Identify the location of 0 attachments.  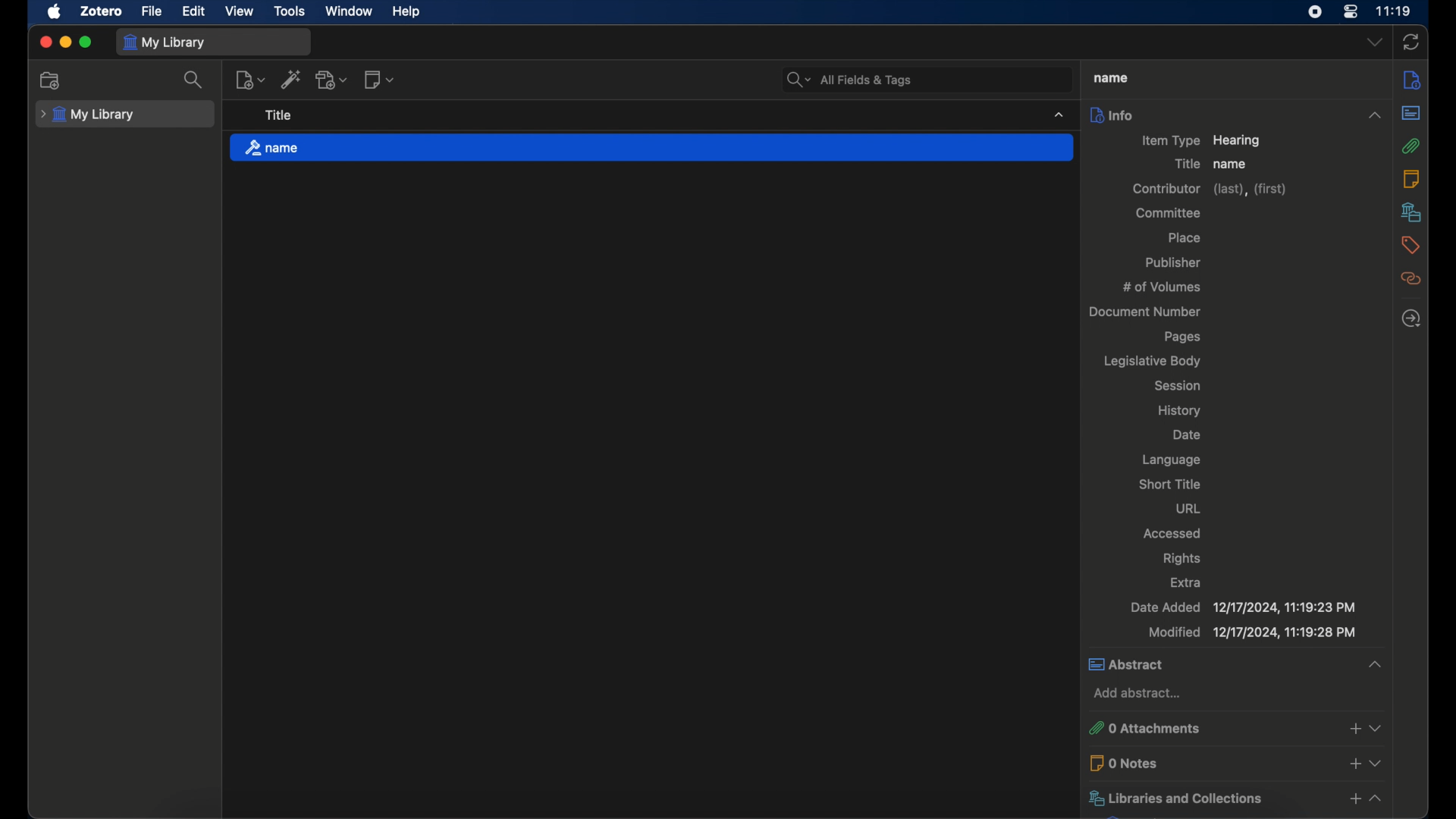
(1238, 729).